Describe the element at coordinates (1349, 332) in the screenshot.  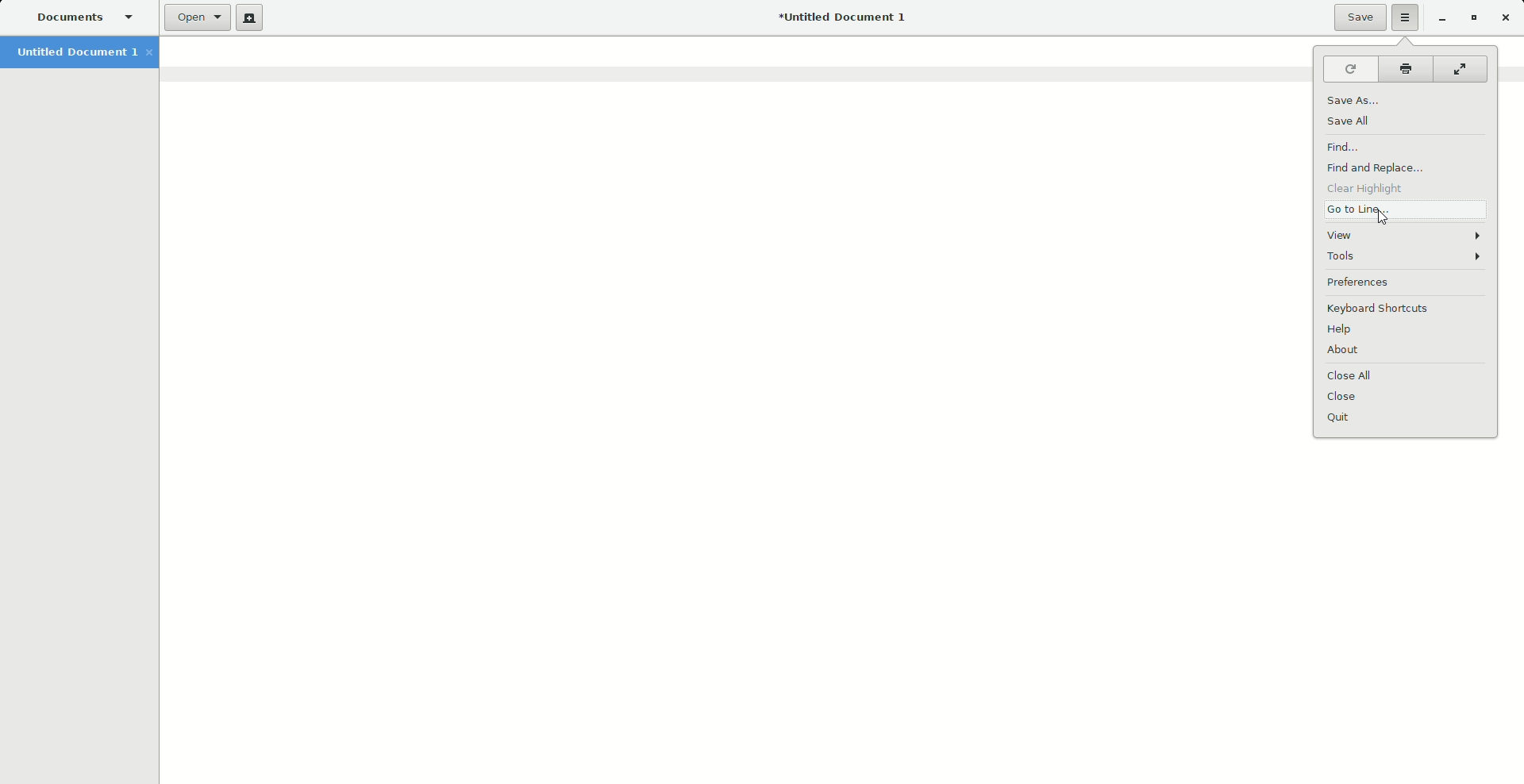
I see `Help` at that location.